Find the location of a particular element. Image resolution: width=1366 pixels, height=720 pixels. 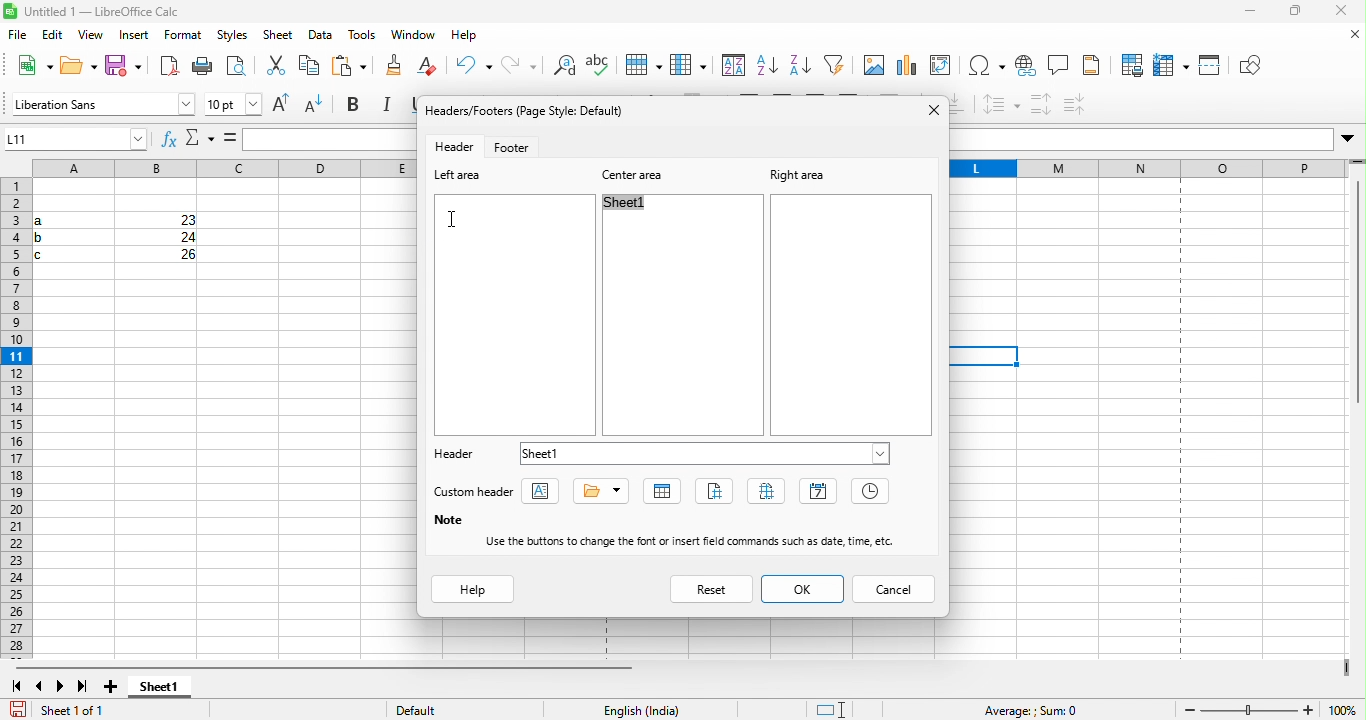

italic is located at coordinates (391, 106).